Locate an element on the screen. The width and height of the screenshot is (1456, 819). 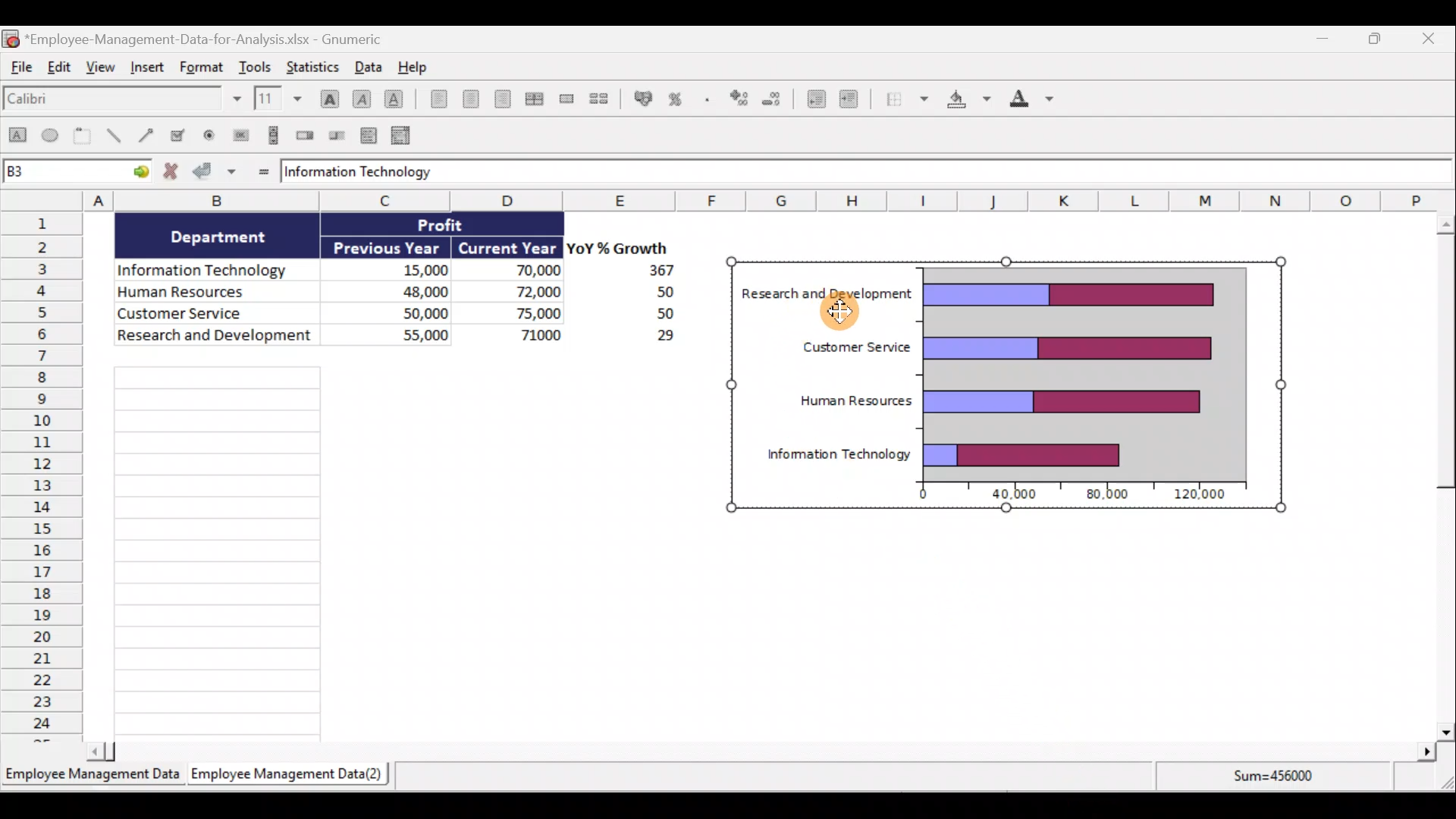
Format the selection as percentage is located at coordinates (678, 101).